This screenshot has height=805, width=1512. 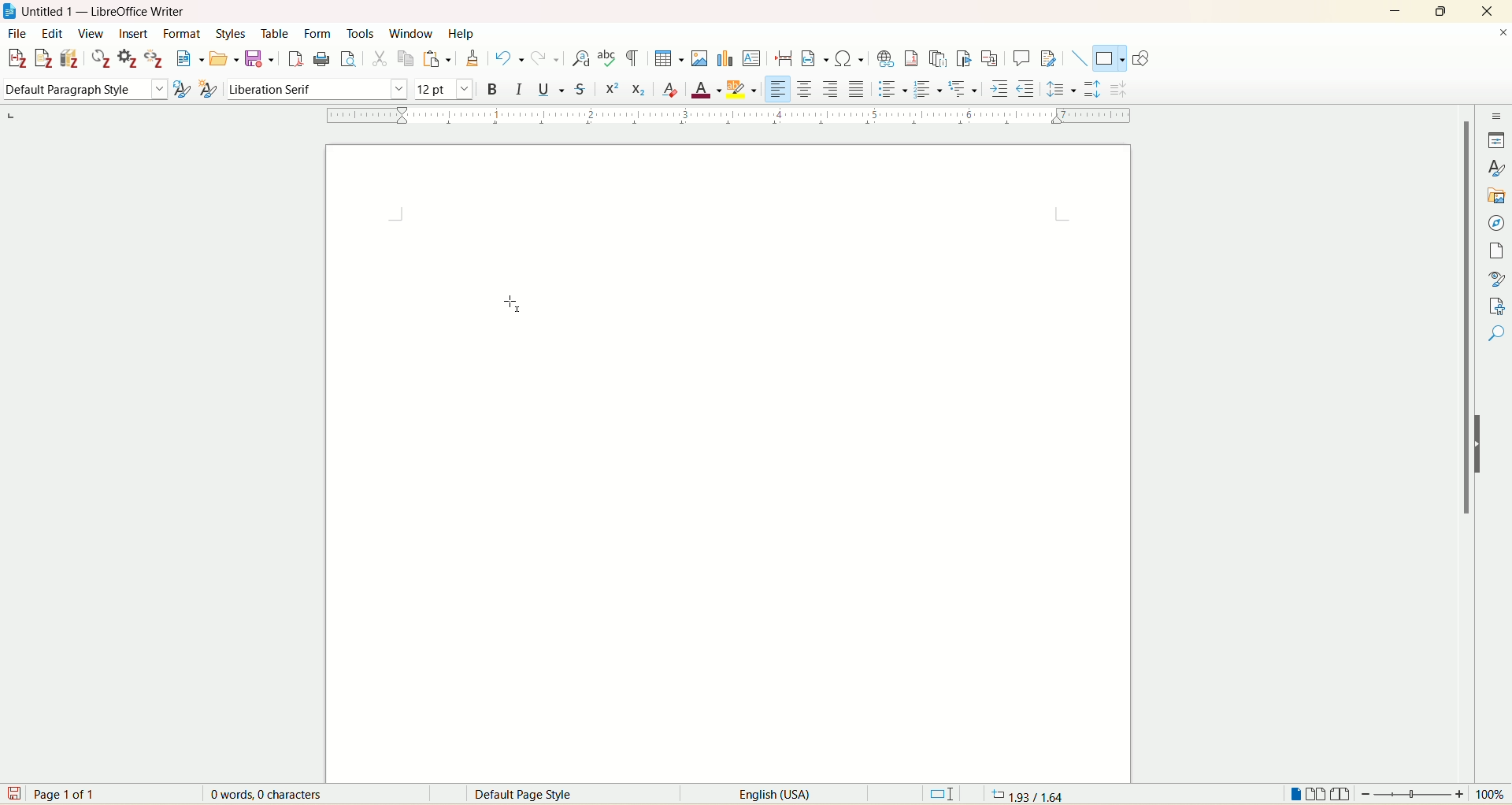 What do you see at coordinates (510, 58) in the screenshot?
I see `undo` at bounding box center [510, 58].